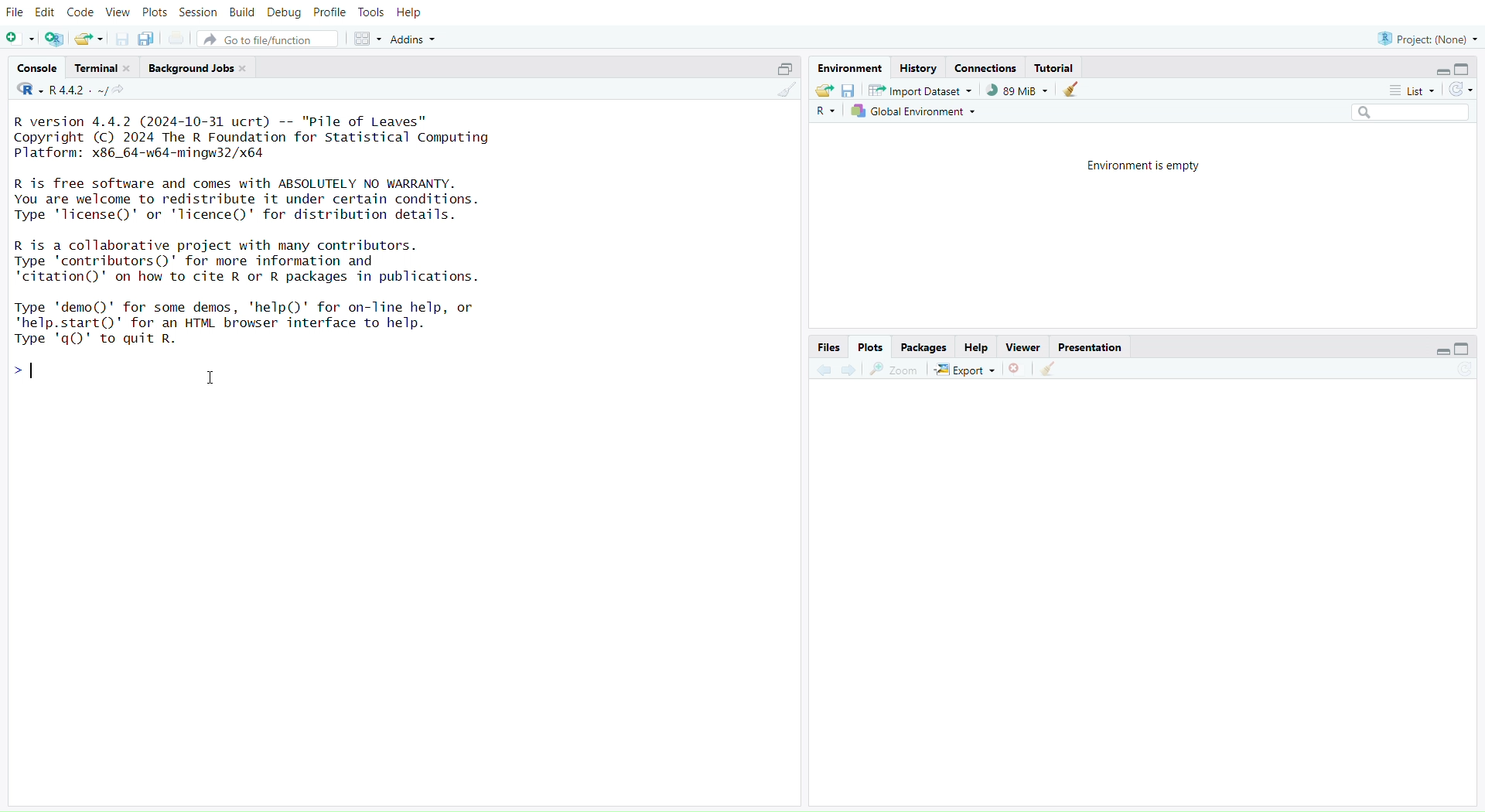  Describe the element at coordinates (870, 345) in the screenshot. I see `Plots` at that location.